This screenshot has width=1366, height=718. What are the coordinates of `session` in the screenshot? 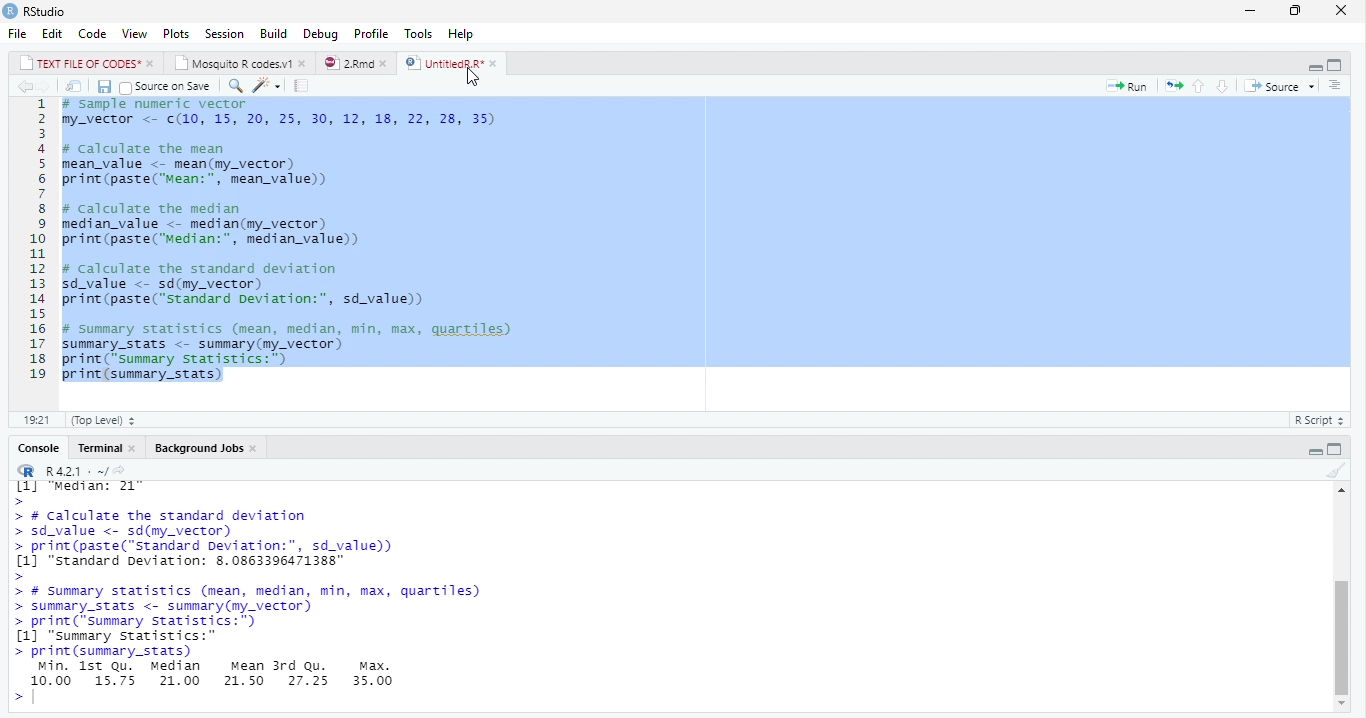 It's located at (224, 34).